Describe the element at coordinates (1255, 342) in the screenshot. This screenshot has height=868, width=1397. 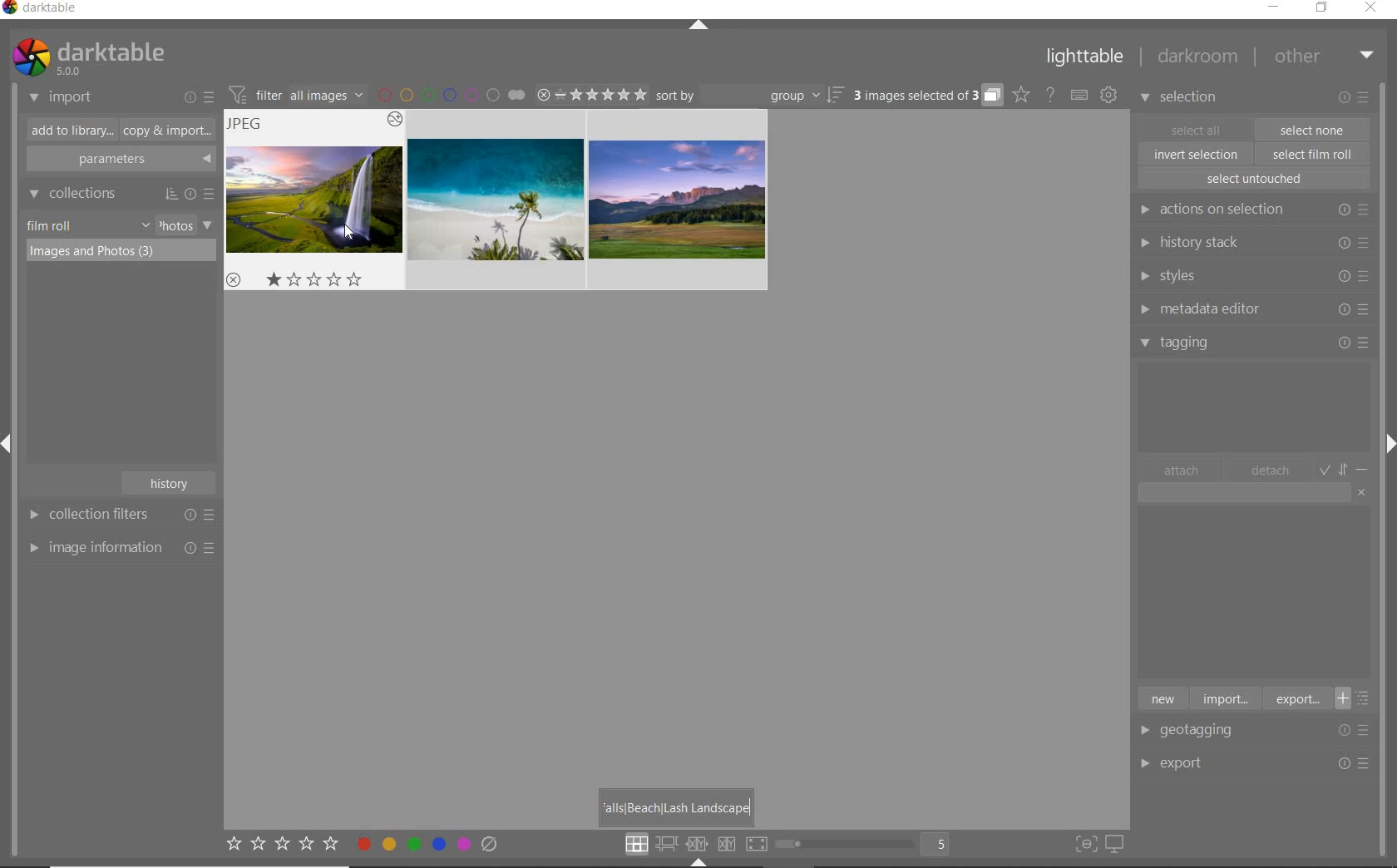
I see `tagging` at that location.